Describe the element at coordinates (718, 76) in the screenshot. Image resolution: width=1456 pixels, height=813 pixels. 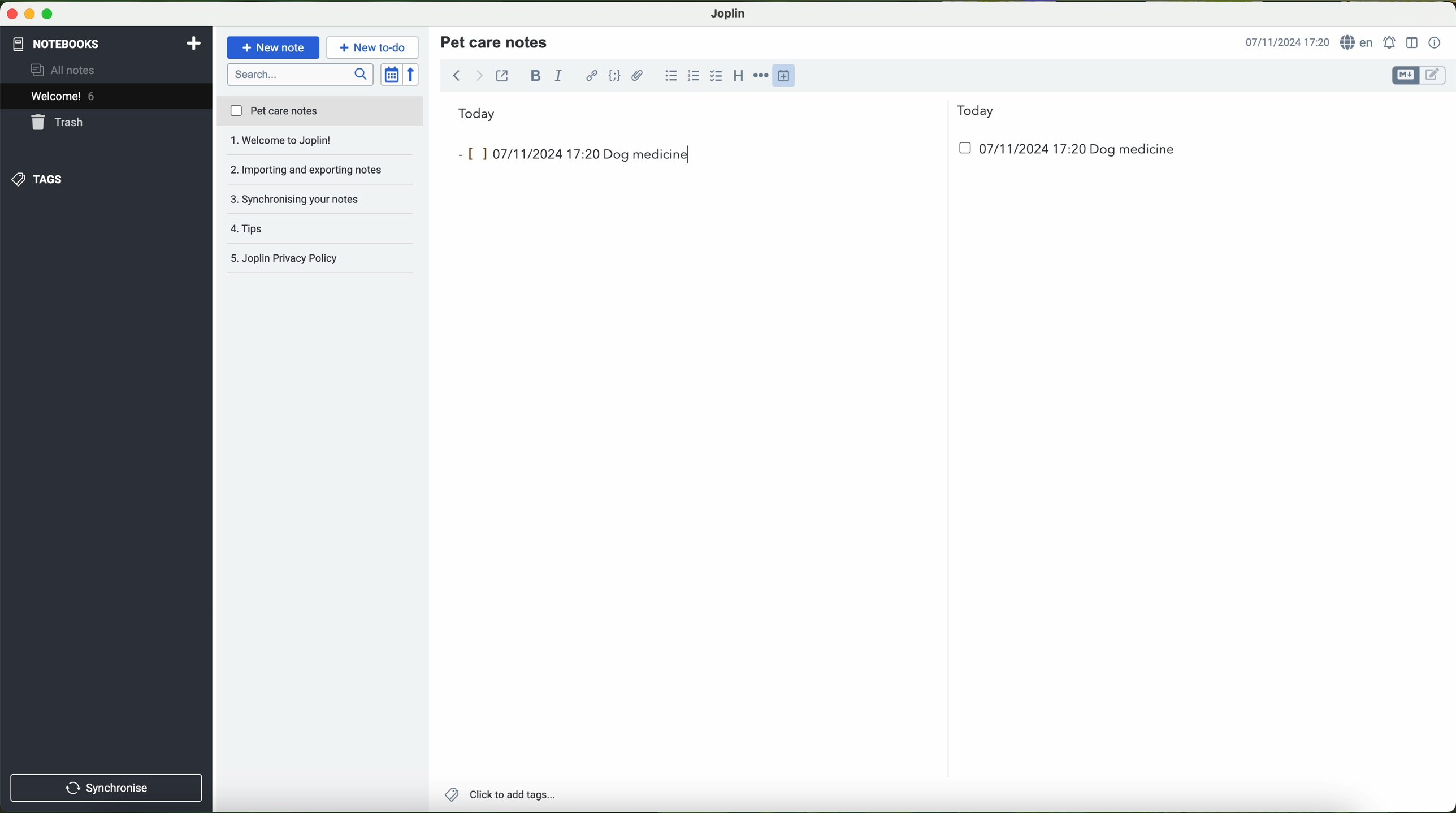
I see `cursor on checkbox option` at that location.